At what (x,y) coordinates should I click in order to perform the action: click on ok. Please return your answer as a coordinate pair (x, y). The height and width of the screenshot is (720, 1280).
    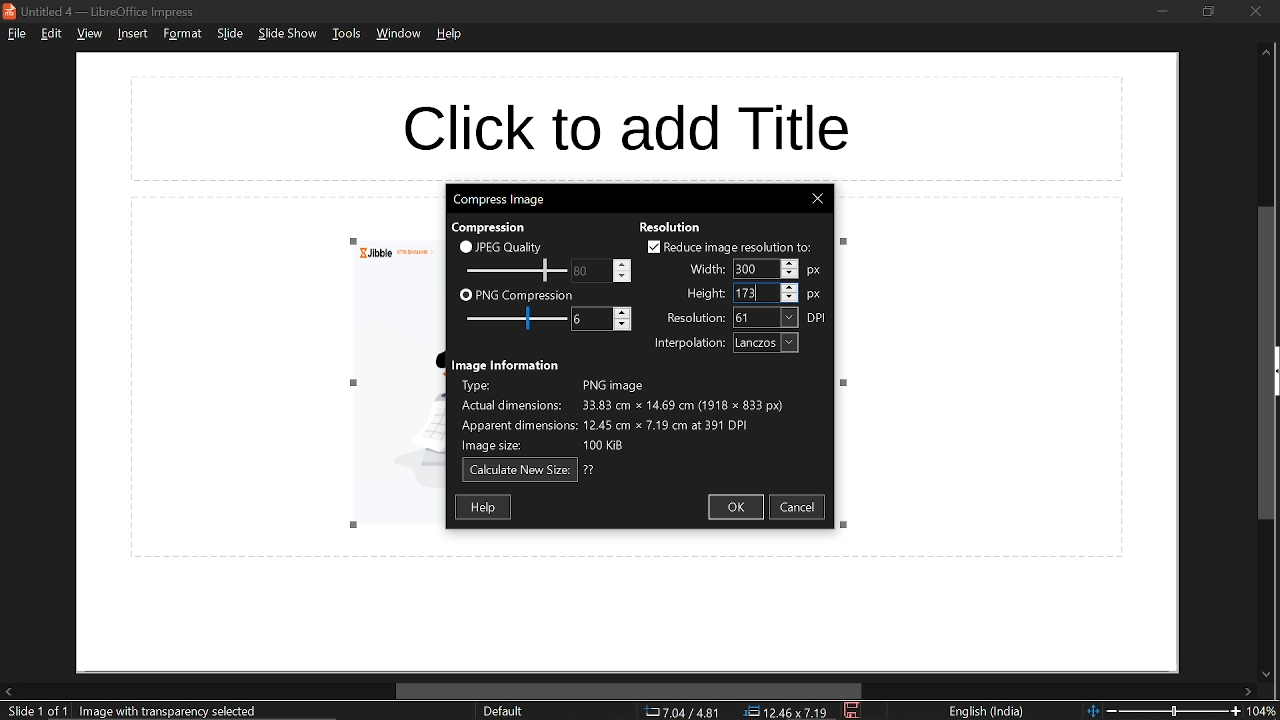
    Looking at the image, I should click on (738, 508).